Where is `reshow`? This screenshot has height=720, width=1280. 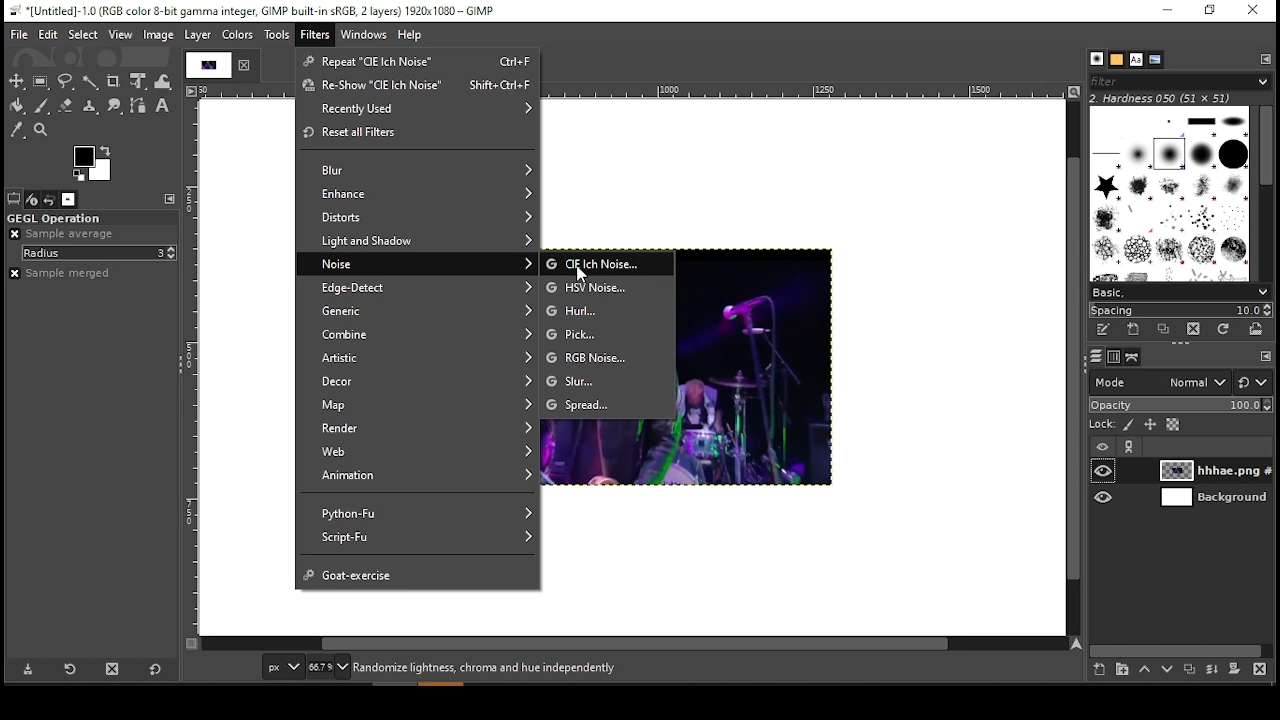
reshow is located at coordinates (416, 88).